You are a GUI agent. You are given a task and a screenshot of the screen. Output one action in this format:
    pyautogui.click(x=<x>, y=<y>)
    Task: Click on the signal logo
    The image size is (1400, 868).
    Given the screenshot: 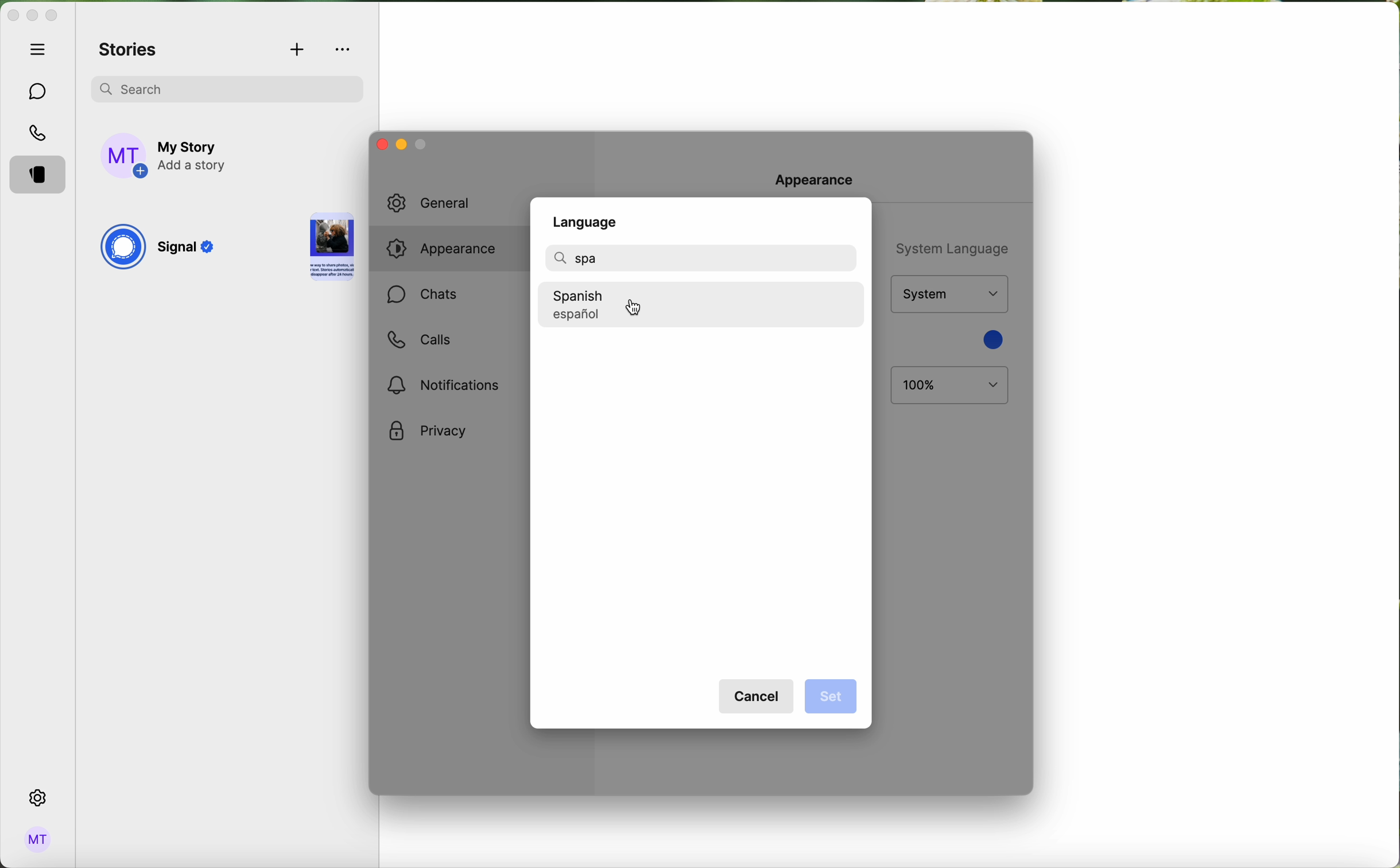 What is the action you would take?
    pyautogui.click(x=122, y=249)
    